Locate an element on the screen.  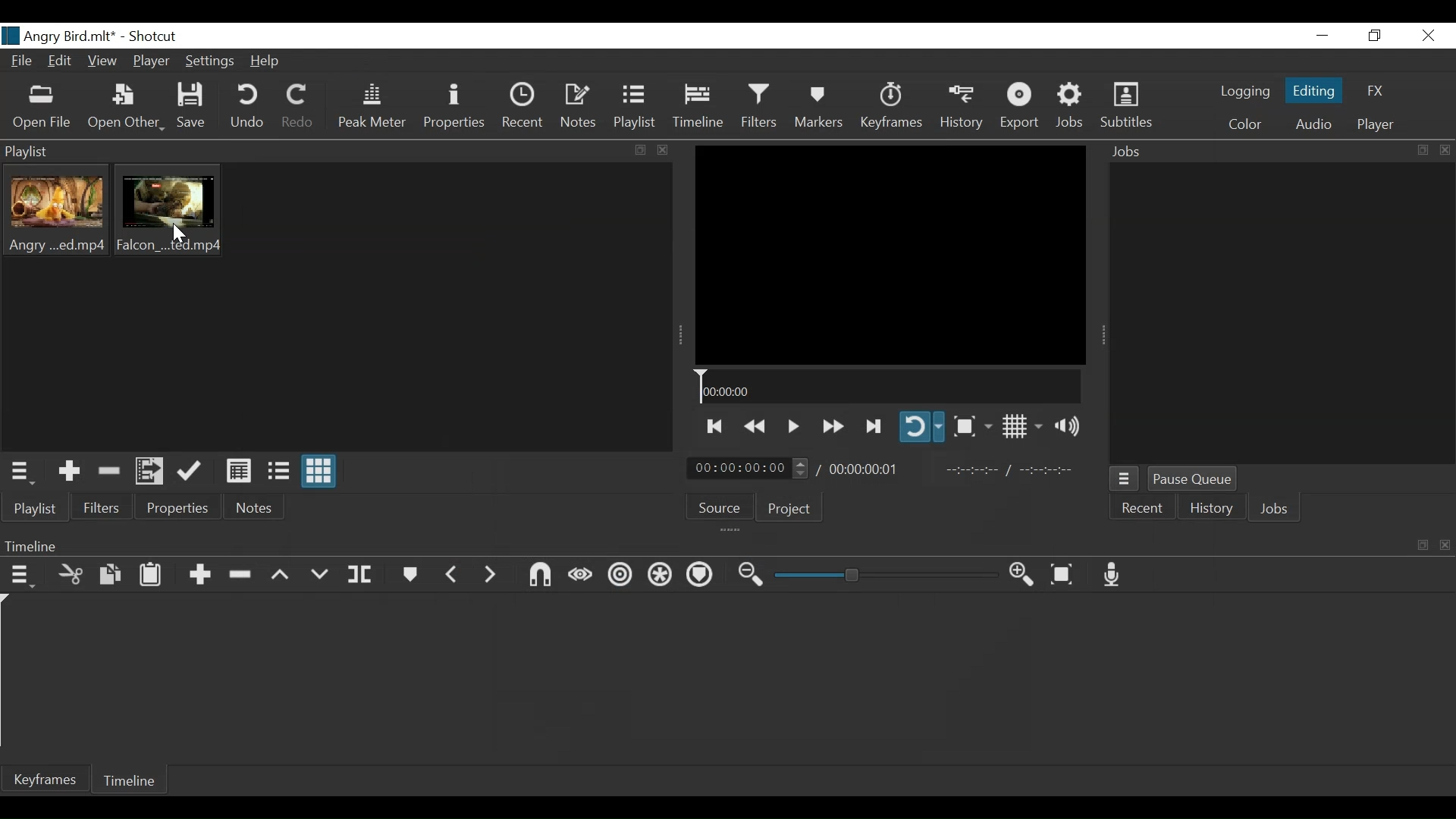
Ripple all tracks is located at coordinates (699, 576).